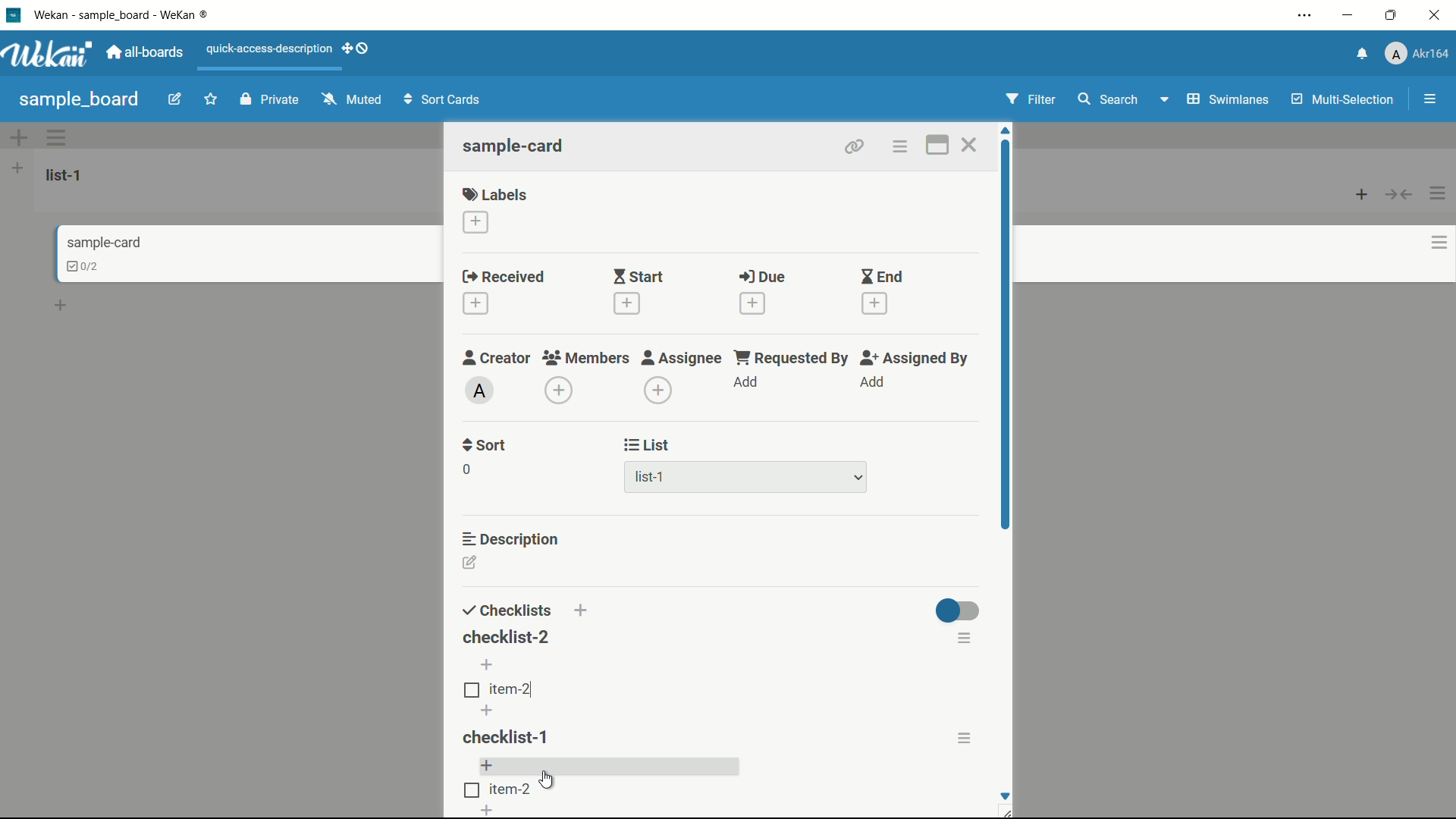  What do you see at coordinates (67, 306) in the screenshot?
I see `add card bottom` at bounding box center [67, 306].